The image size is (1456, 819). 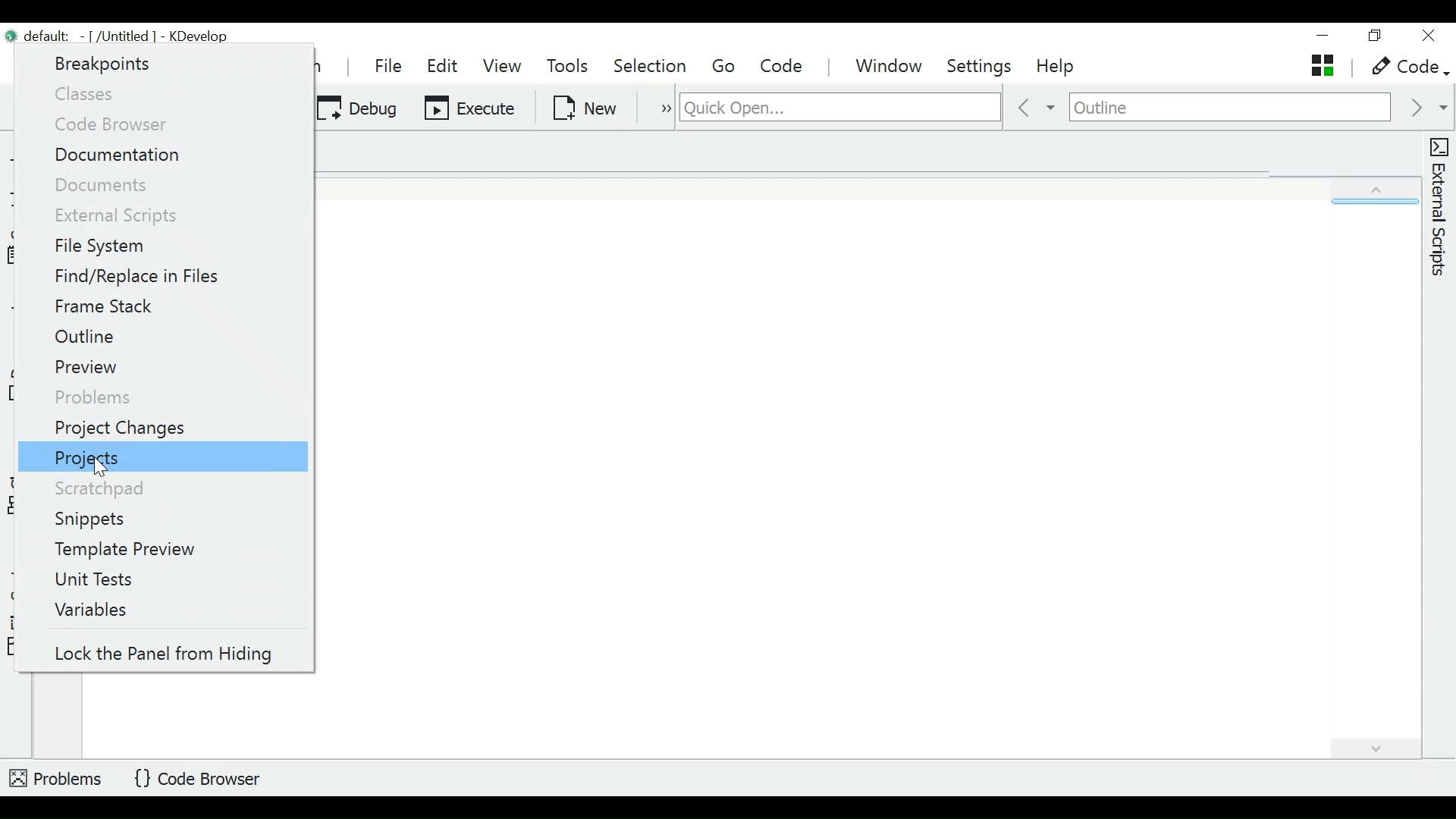 What do you see at coordinates (139, 551) in the screenshot?
I see `Template Preview` at bounding box center [139, 551].